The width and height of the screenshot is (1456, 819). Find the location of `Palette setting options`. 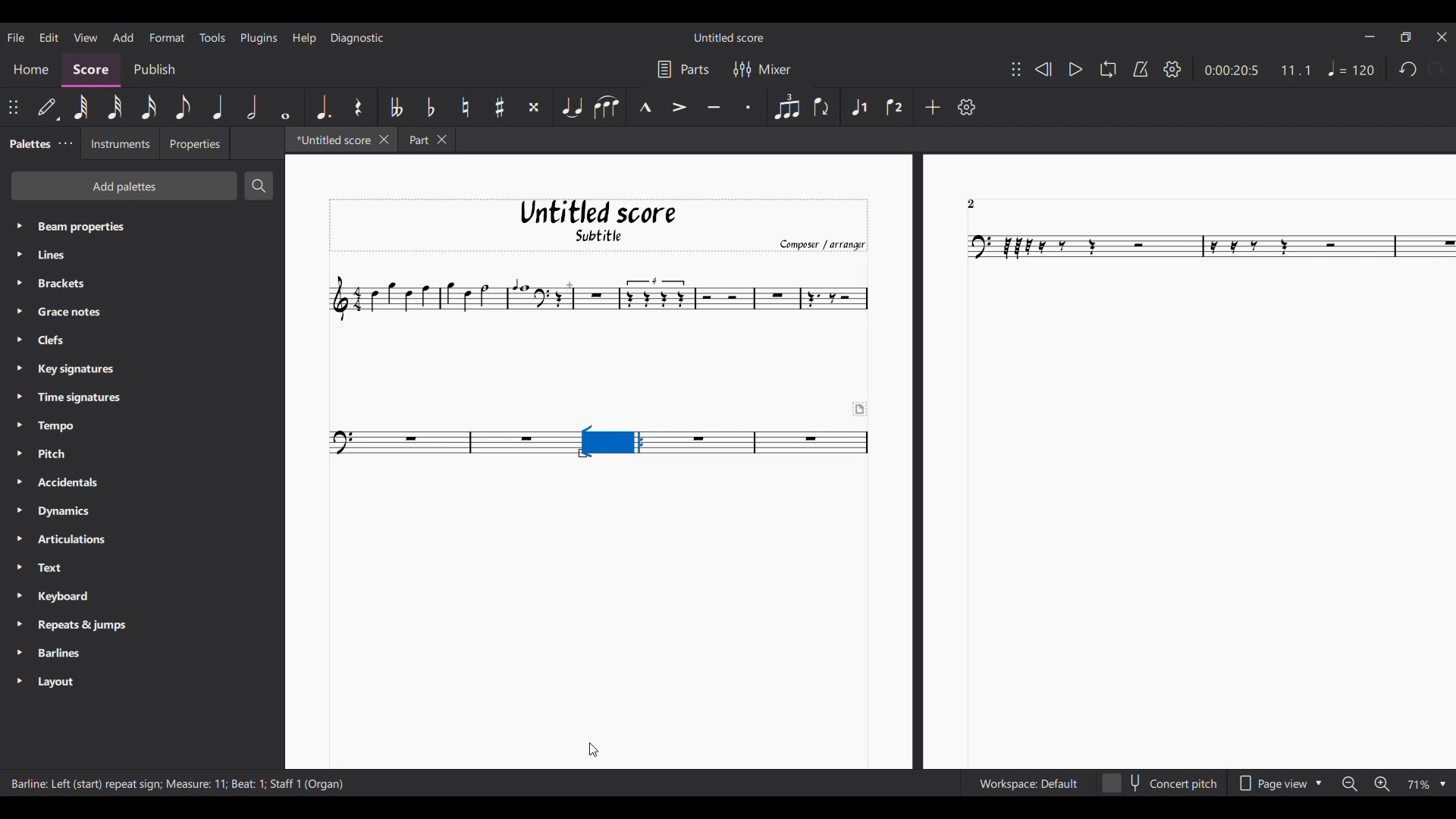

Palette setting options is located at coordinates (154, 455).